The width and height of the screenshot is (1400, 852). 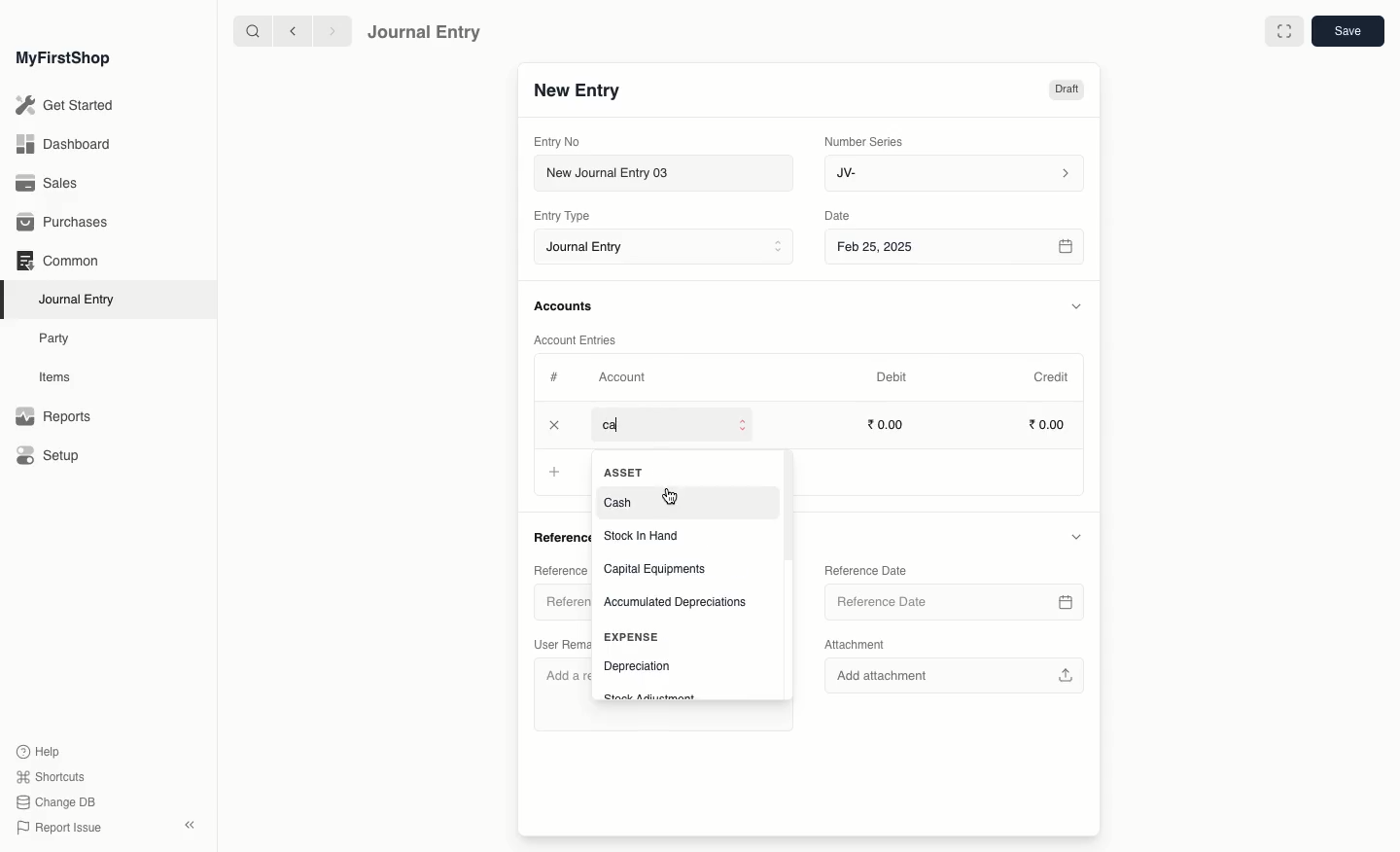 What do you see at coordinates (425, 31) in the screenshot?
I see `Journal Entry` at bounding box center [425, 31].